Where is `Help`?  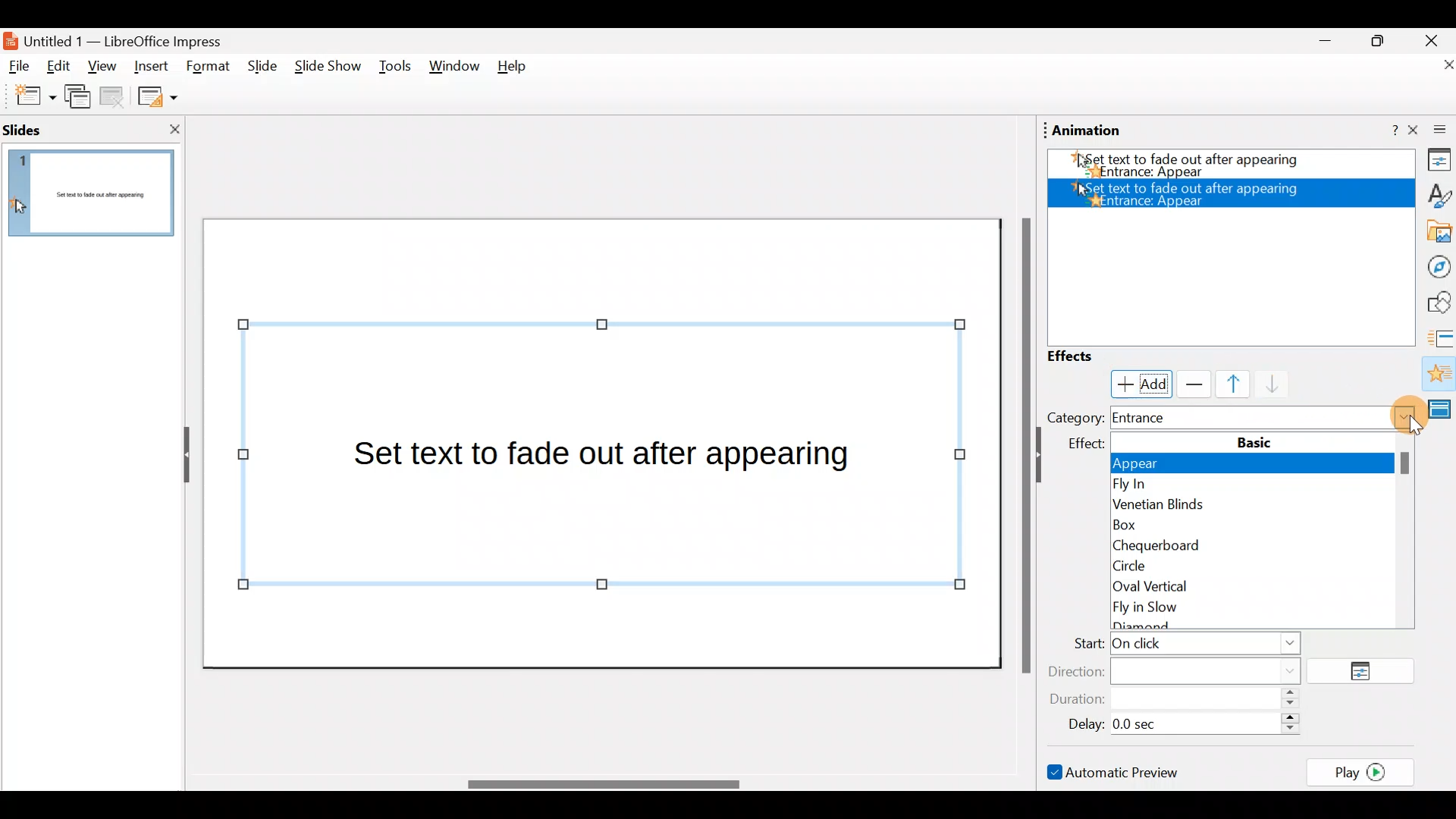 Help is located at coordinates (1384, 131).